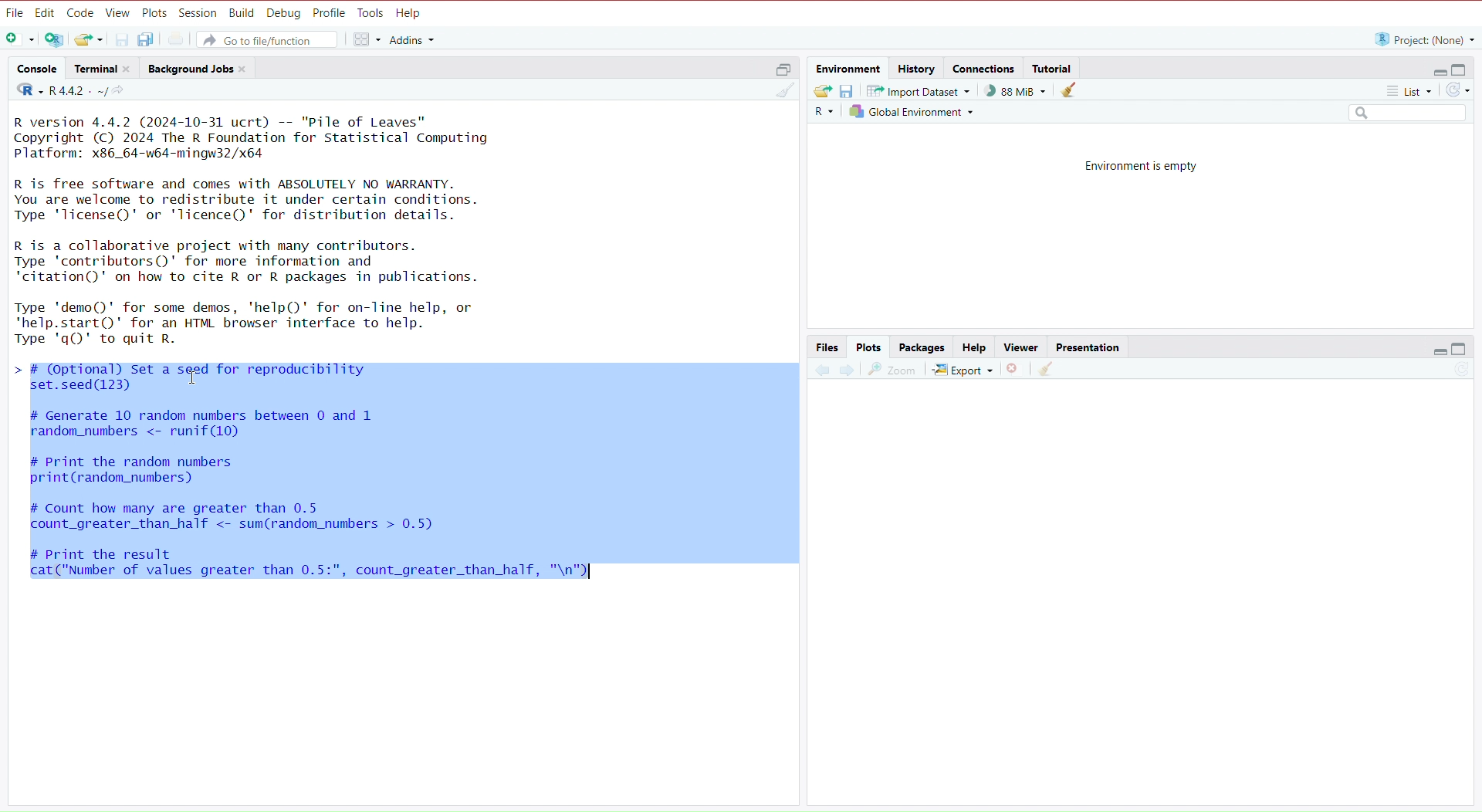 The width and height of the screenshot is (1482, 812). What do you see at coordinates (402, 367) in the screenshot?
I see `R version 4.4.2 (2024-10-31 ucrt) -- "Pile of Leaves"
Copyright (C) 2024 The R Foundation for Statistical Computing
Platform: x86_64-w64-mingw32/x64
R is free software and comes with ABSOLUTELY NO WARRANTY.
You are welcome to redistribute it under certain conditions.
Type 'license()' or 'licence()' for distribution details.
R is a collaborative project with many contributors.
Type 'contributors()' for more information and
"citation()' on how to cite R or R packages in publications
Type 'demo()' for some demos, ‘help()' for on-line help, or
'help.start()' for an HTML browser interface to help.
Type 'qQ)' to quit R.
> # (Optional) Set a sged for reproducibility
set.seed(123)
# Generate 10 random numbers between 0 and 1
random_numbers <- runif(10)
# Print the random numbers
print (random_numbers)
# Count how many are greater than 0.5
count_greater_than_half <- sum(random_numbers > 0.5)
# Print the result
cat("Number of values greater than 0.5:", count_greater_than_half, "\n")|` at bounding box center [402, 367].